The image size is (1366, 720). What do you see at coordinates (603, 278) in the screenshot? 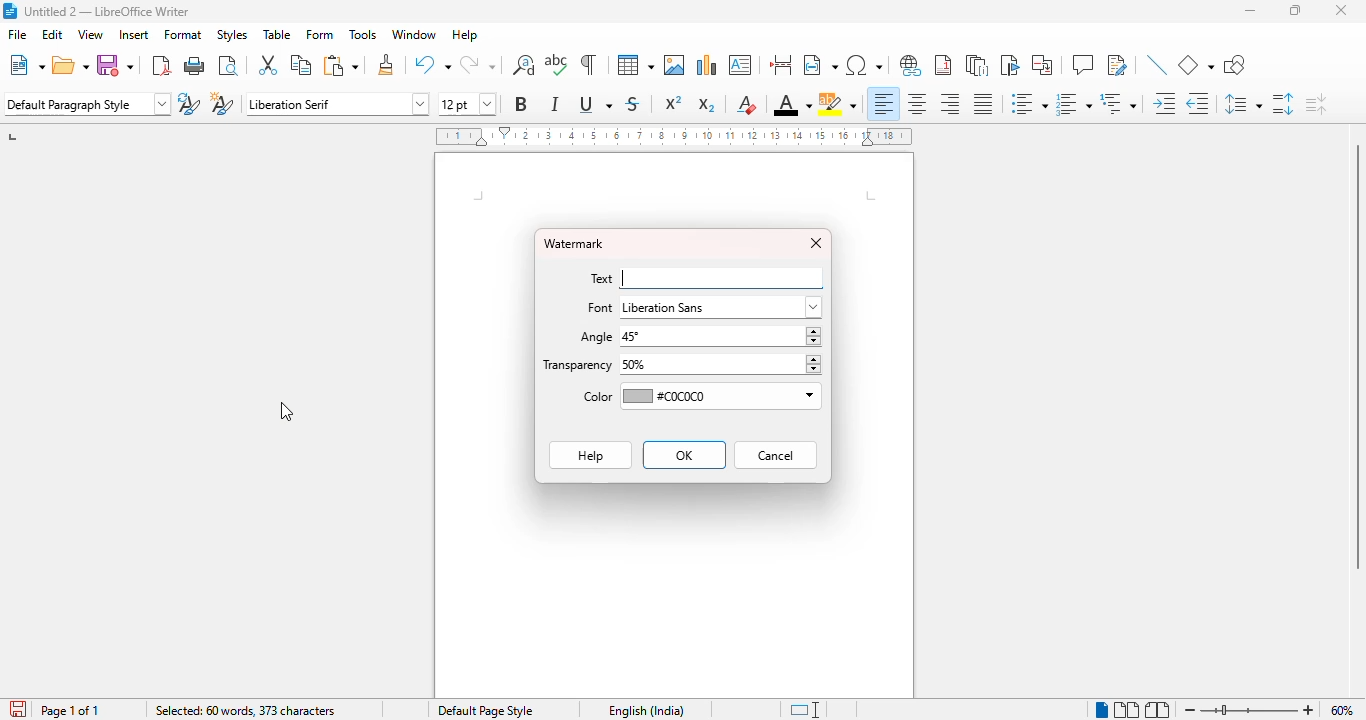
I see `text` at bounding box center [603, 278].